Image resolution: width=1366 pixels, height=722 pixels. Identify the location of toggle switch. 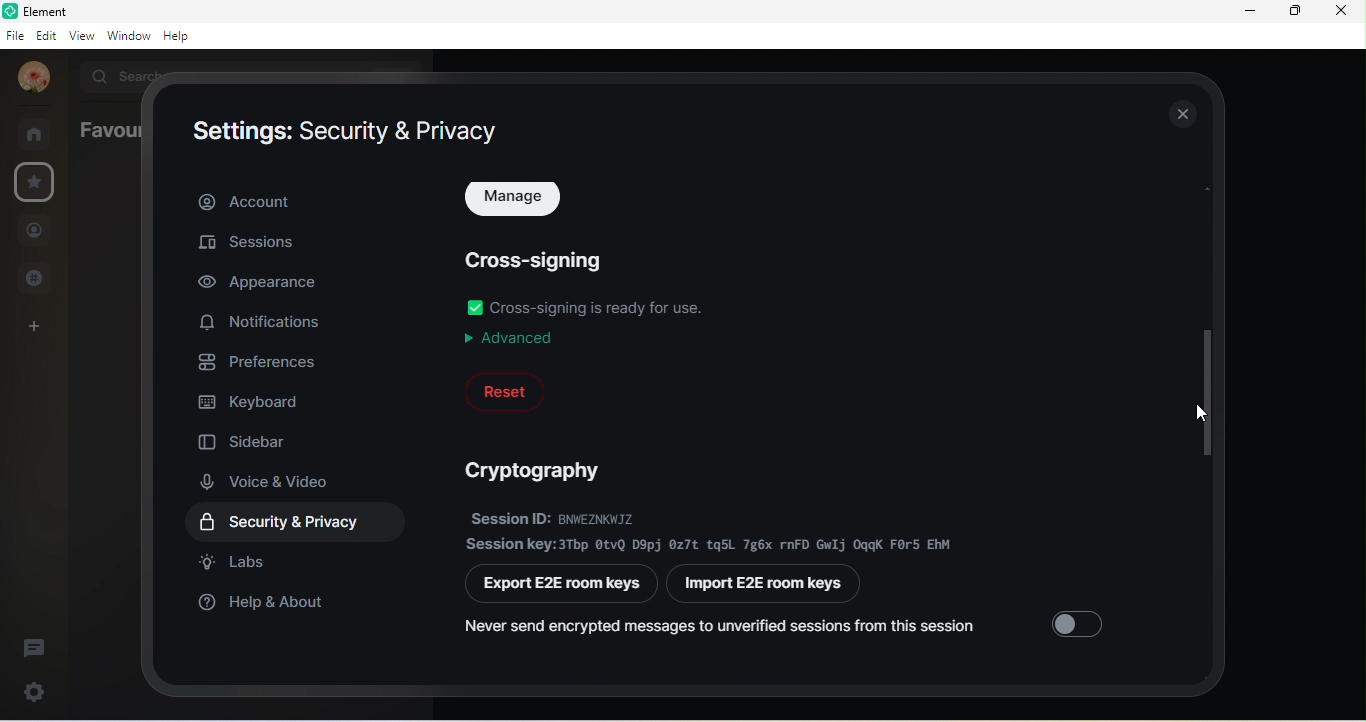
(475, 307).